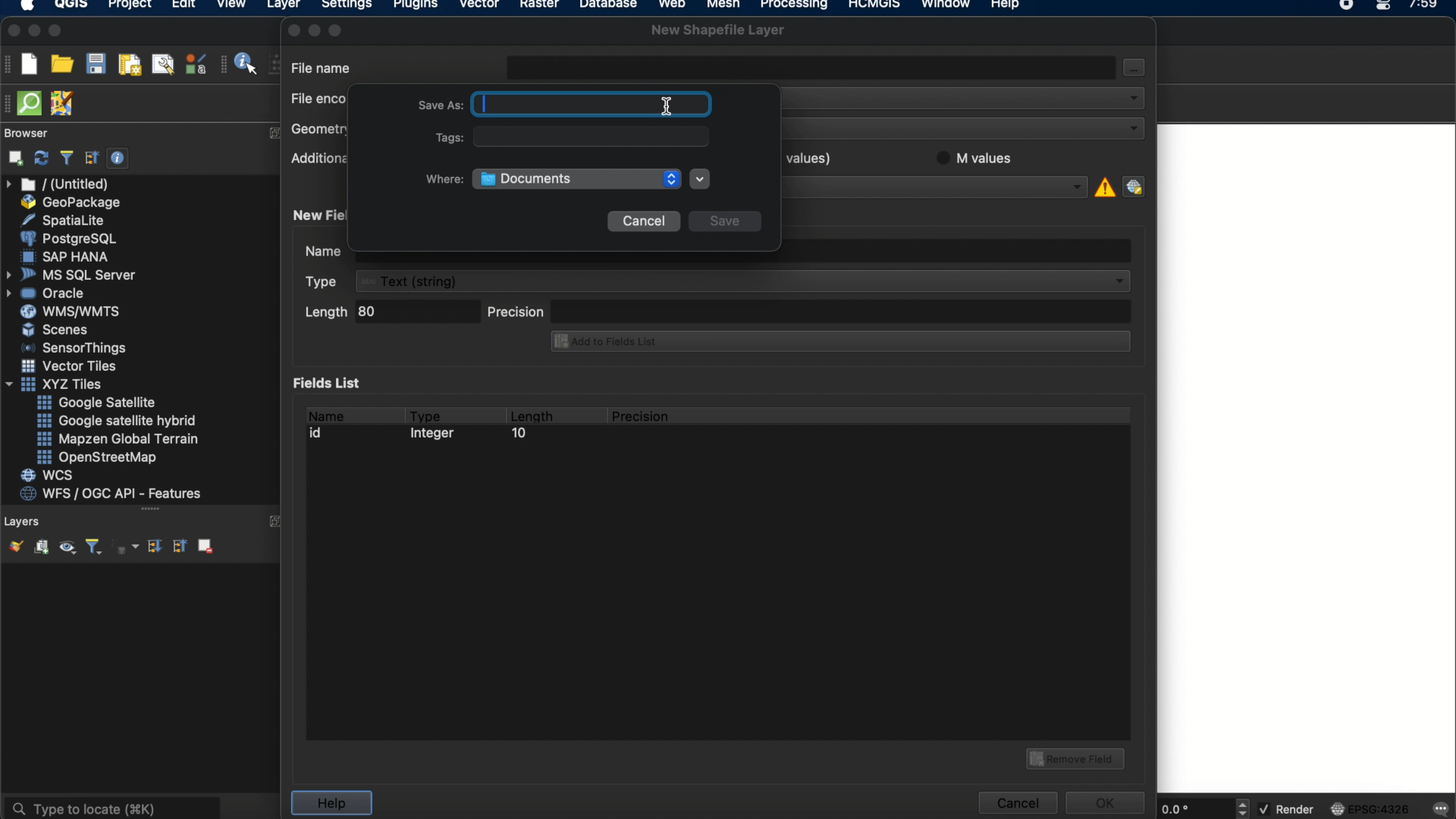 This screenshot has width=1456, height=819. What do you see at coordinates (118, 421) in the screenshot?
I see `google satellite hybrid` at bounding box center [118, 421].